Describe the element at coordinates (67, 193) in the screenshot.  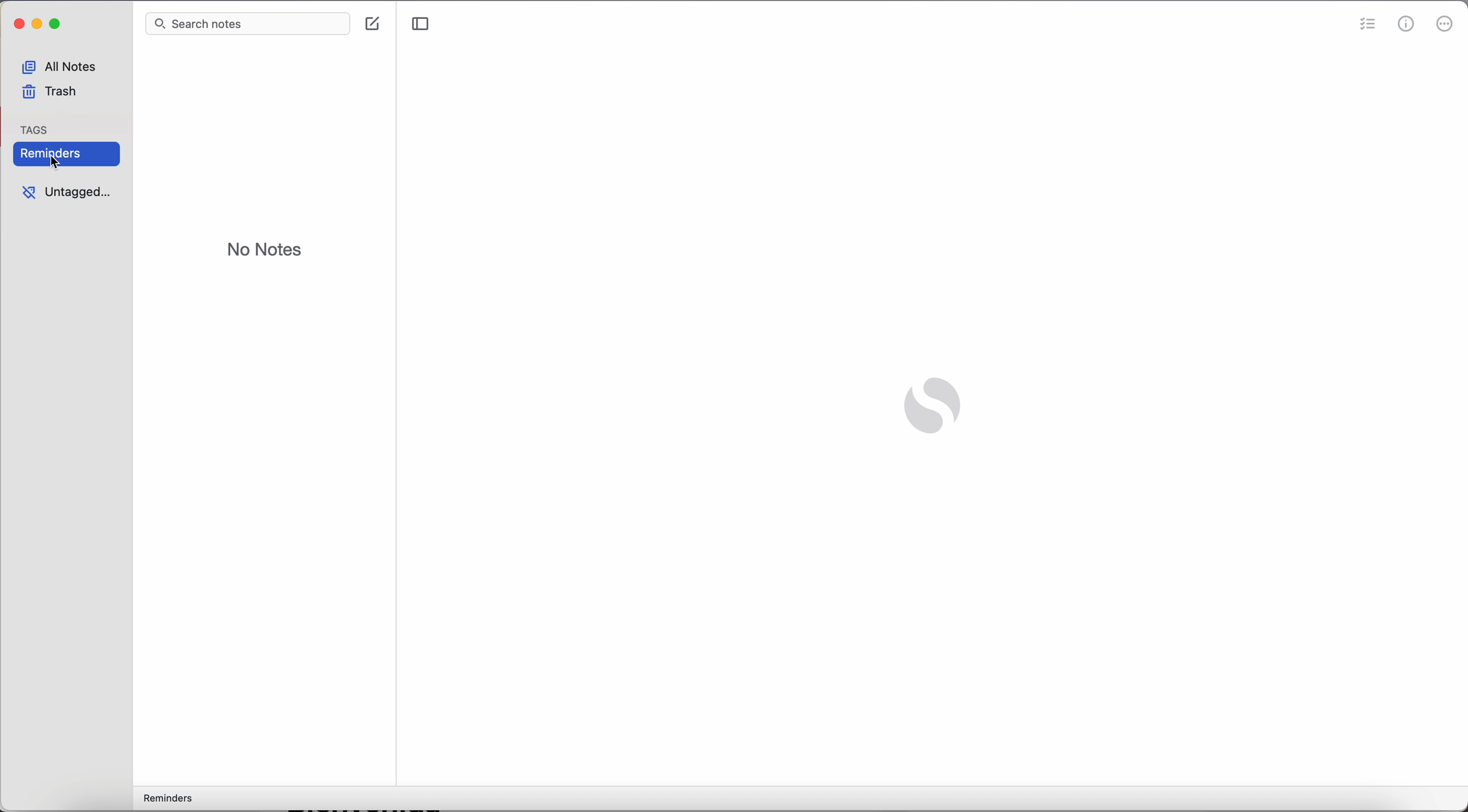
I see `untagged` at that location.